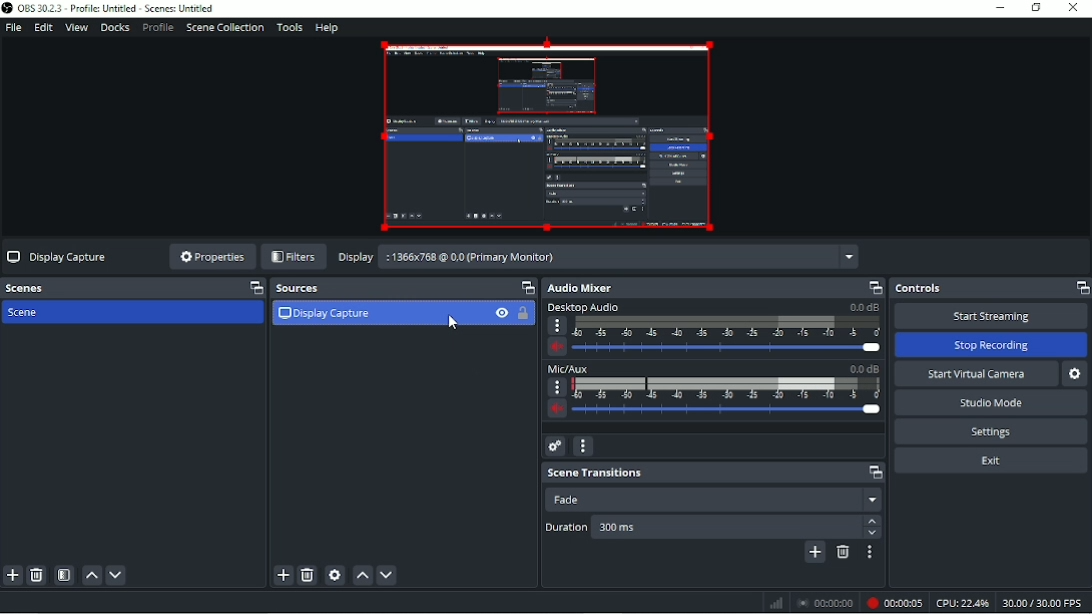  Describe the element at coordinates (722, 527) in the screenshot. I see `300ms` at that location.